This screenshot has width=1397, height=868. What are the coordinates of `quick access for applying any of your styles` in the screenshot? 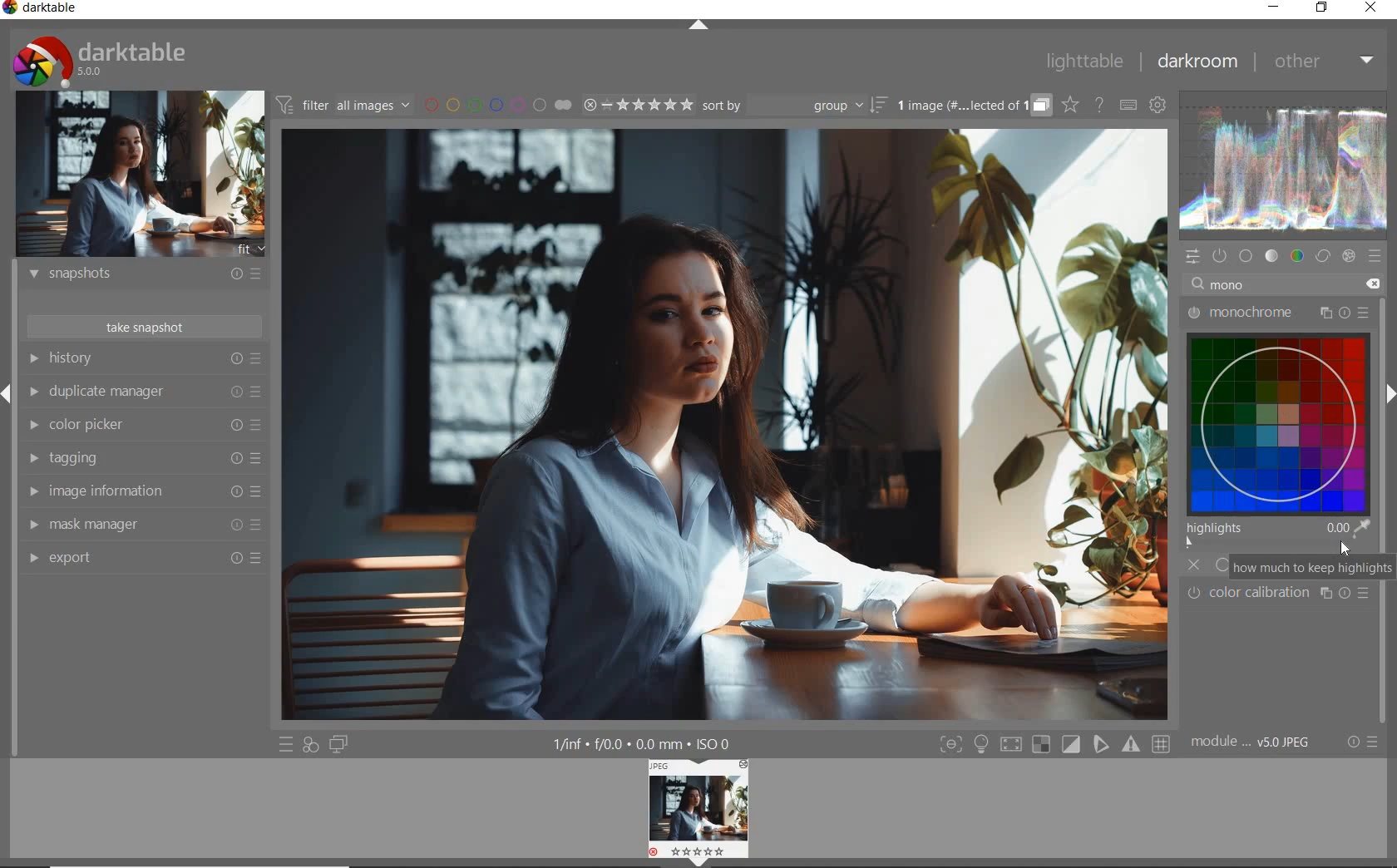 It's located at (310, 745).